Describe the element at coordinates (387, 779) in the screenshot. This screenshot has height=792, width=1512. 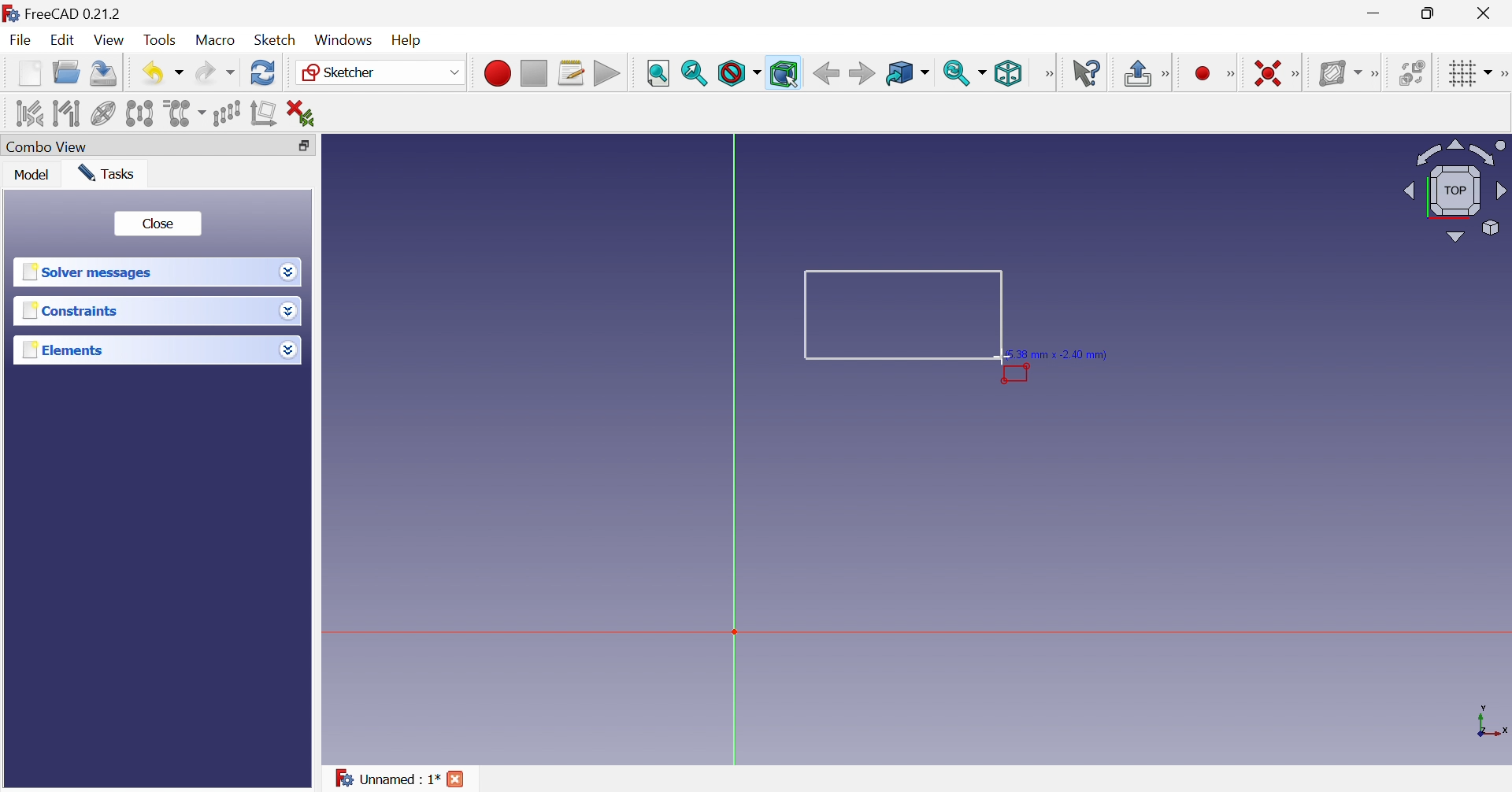
I see `Unnamed : 1` at that location.